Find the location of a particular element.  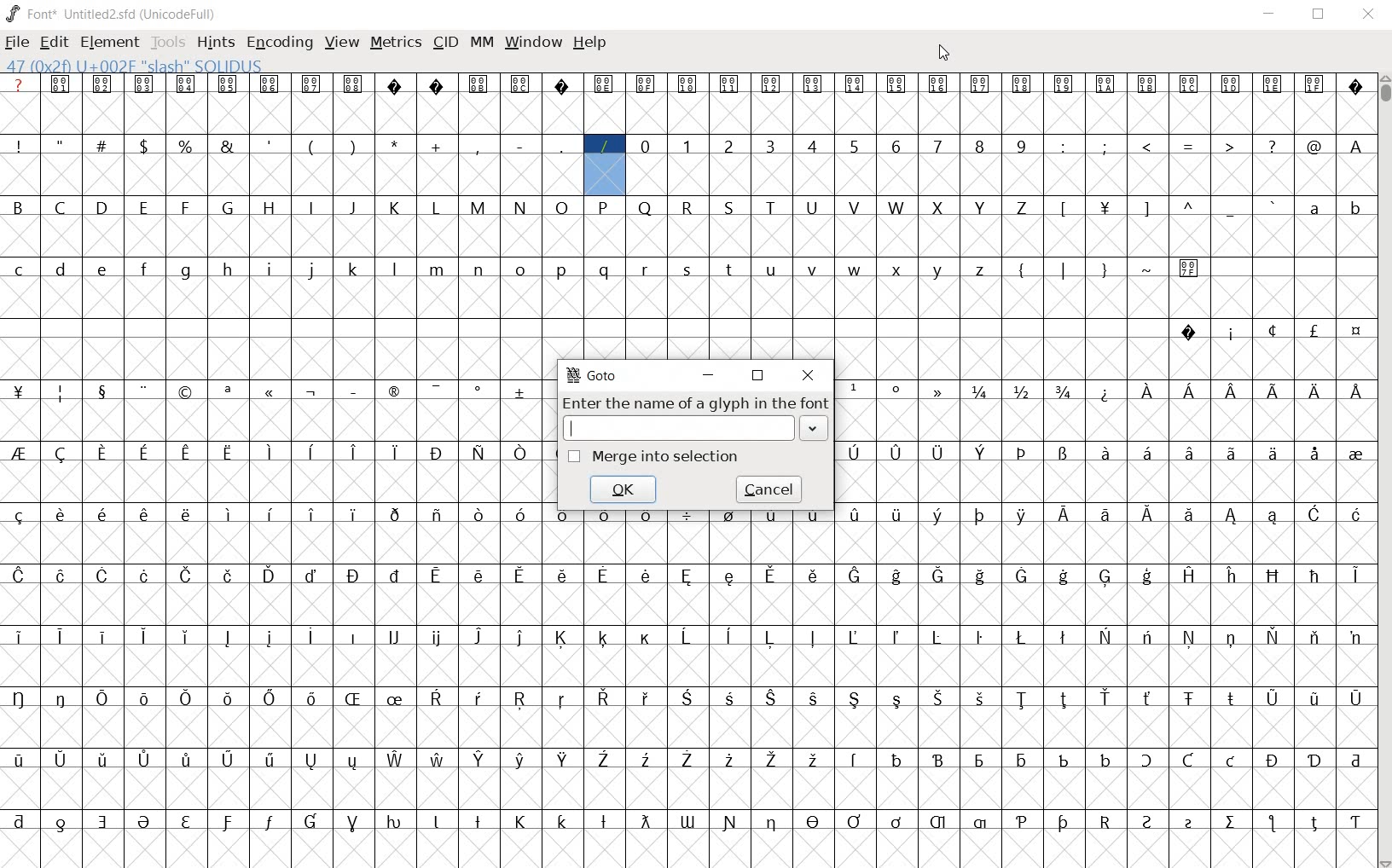

glyph is located at coordinates (187, 759).